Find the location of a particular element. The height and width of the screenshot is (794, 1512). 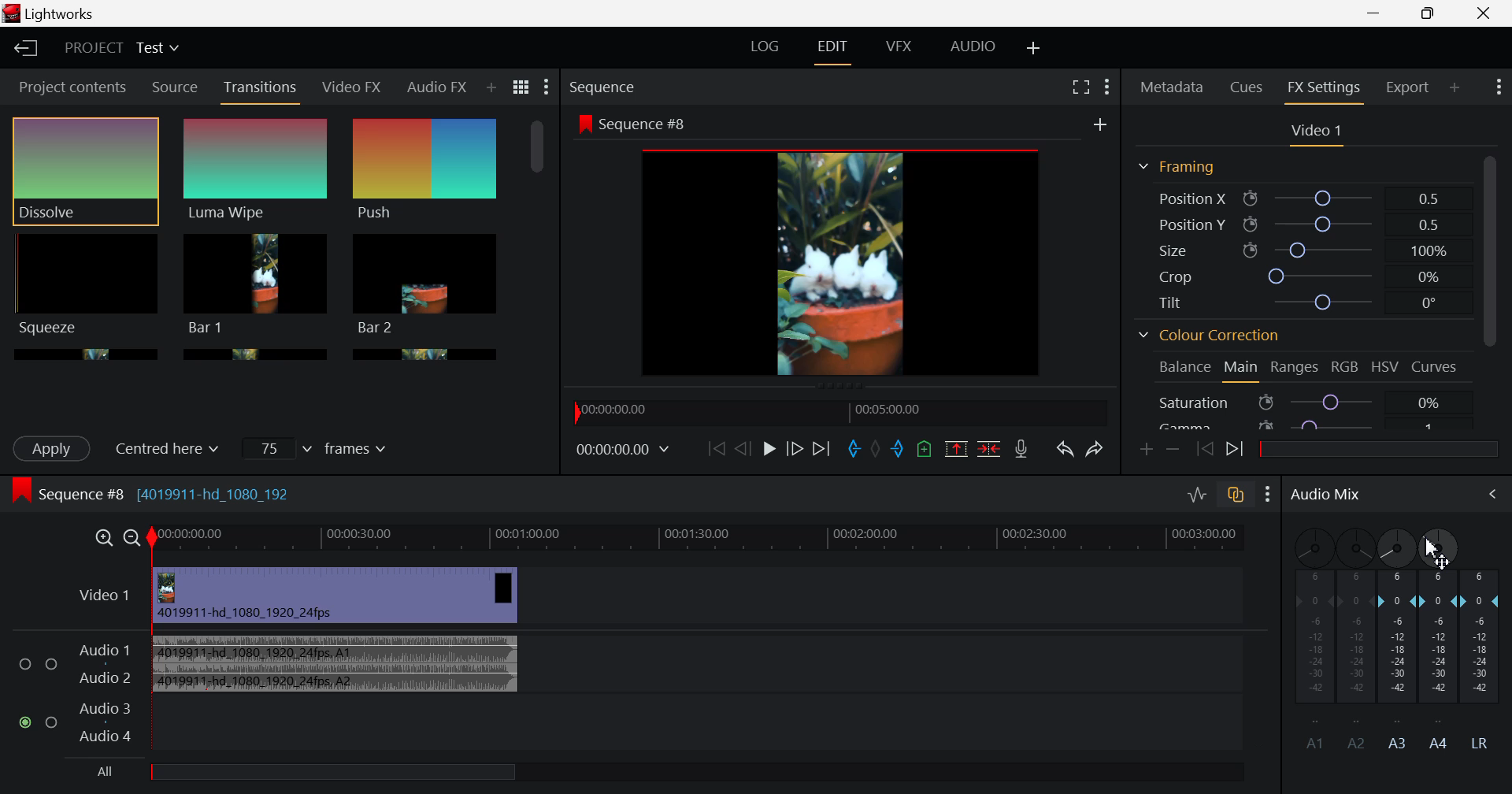

Audio Input Field is located at coordinates (643, 690).